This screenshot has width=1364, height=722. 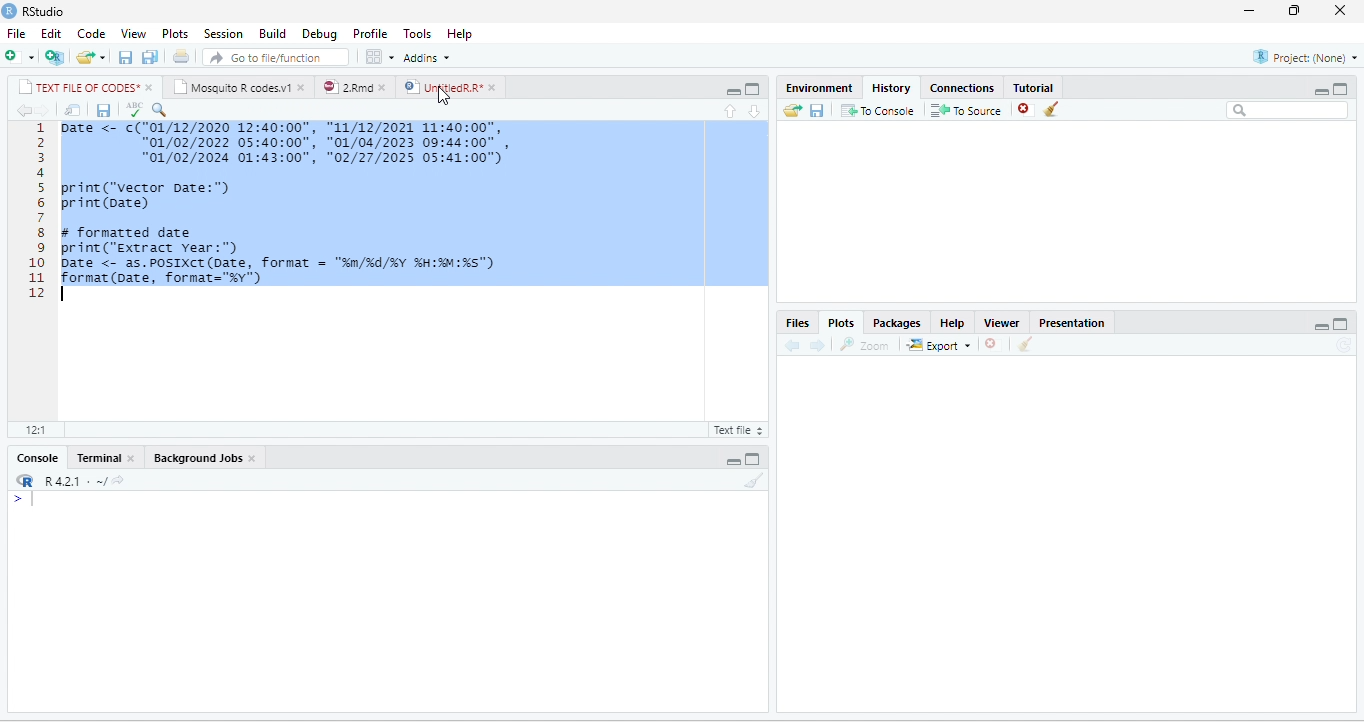 I want to click on save, so click(x=103, y=110).